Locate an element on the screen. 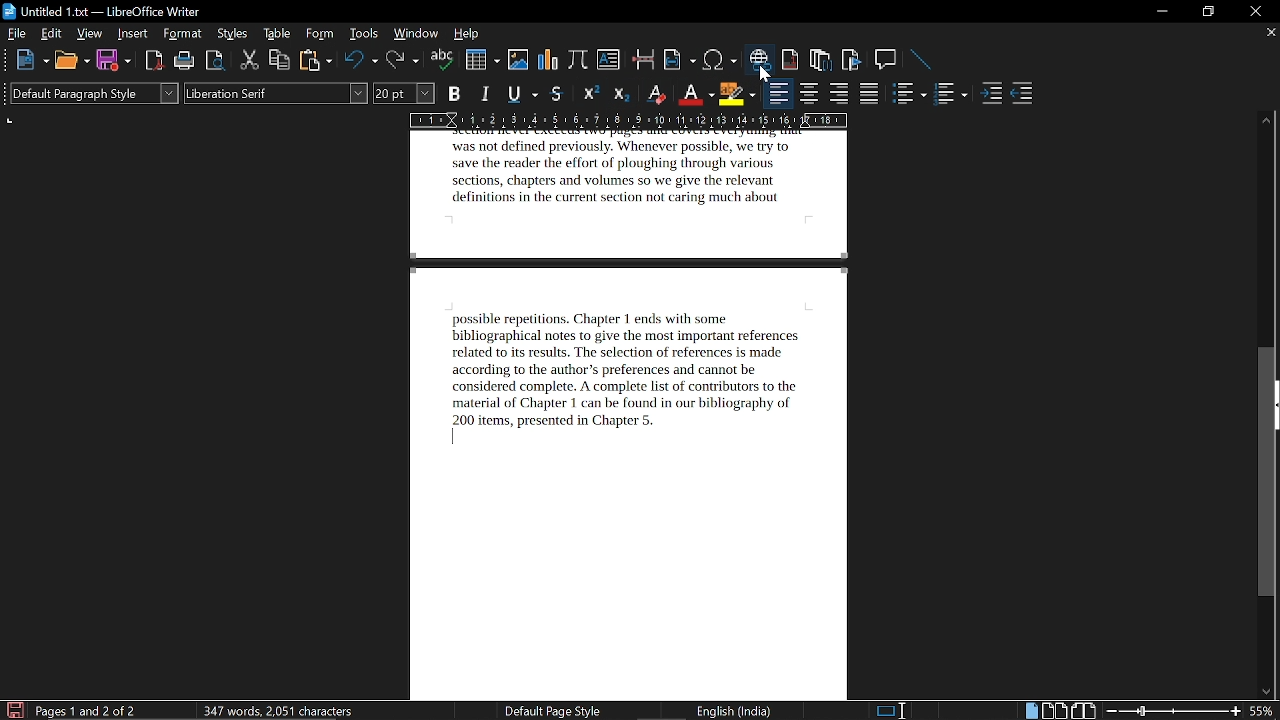  close is located at coordinates (1252, 11).